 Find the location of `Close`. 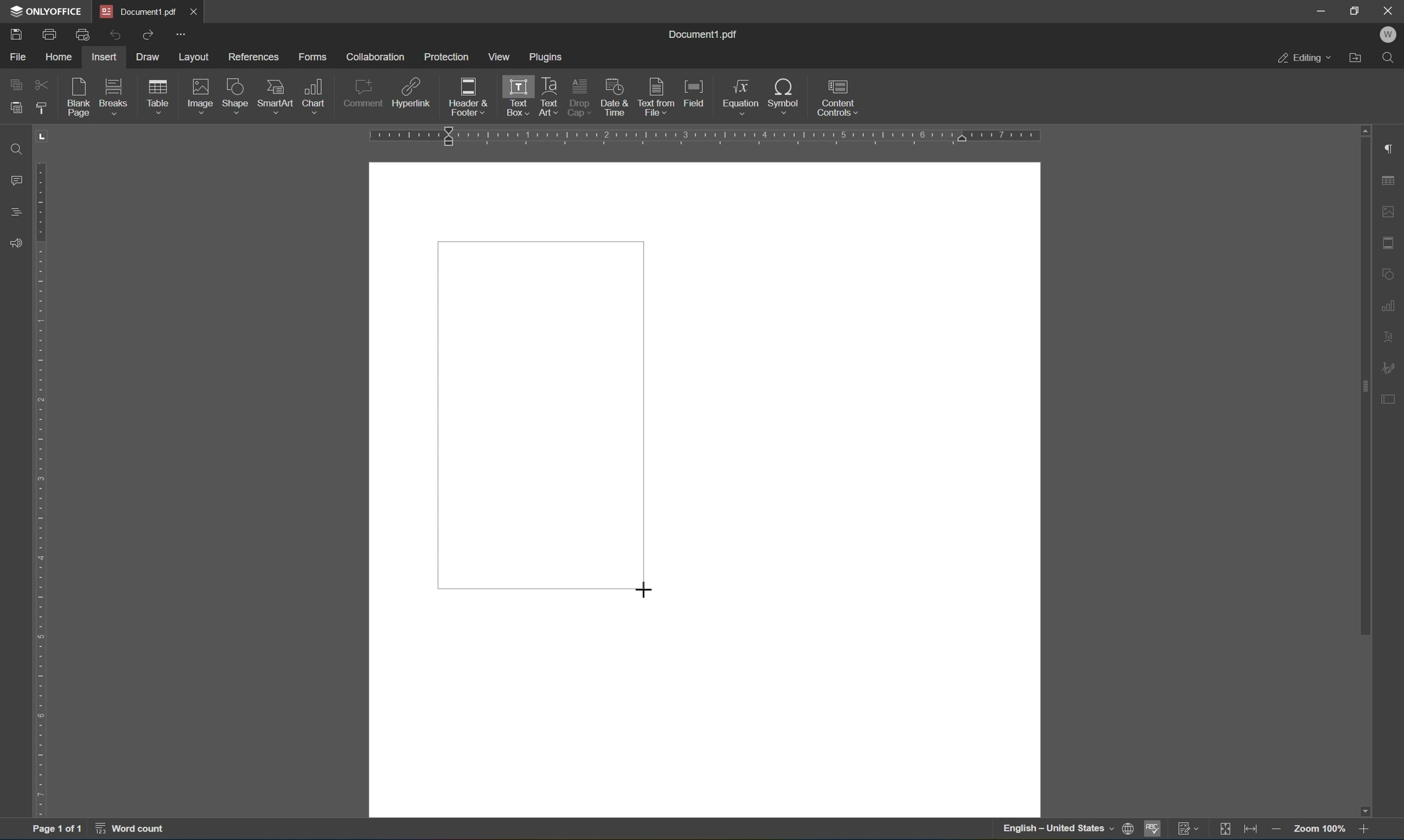

Close is located at coordinates (1392, 11).